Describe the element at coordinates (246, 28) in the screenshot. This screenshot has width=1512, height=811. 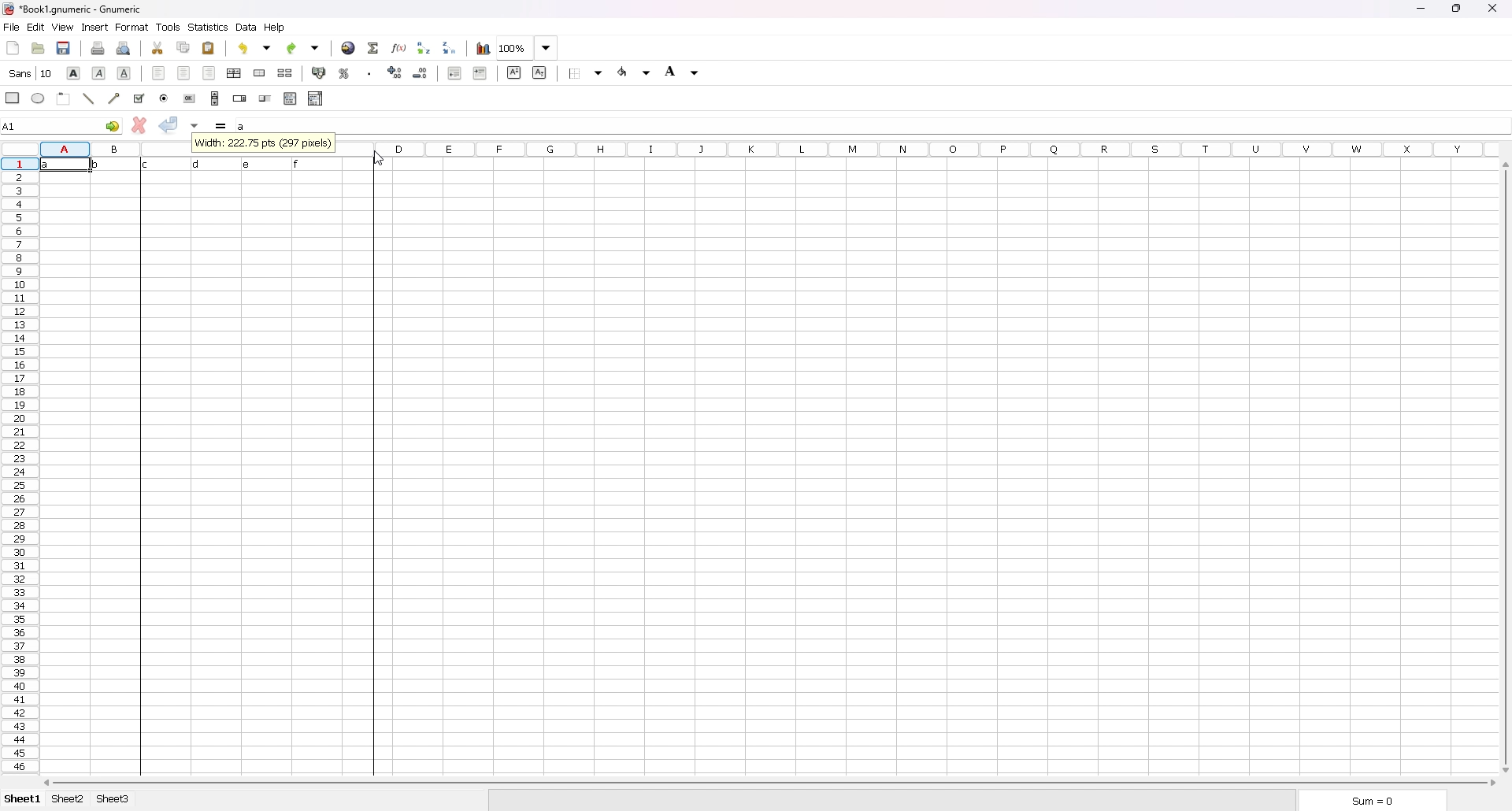
I see `data` at that location.